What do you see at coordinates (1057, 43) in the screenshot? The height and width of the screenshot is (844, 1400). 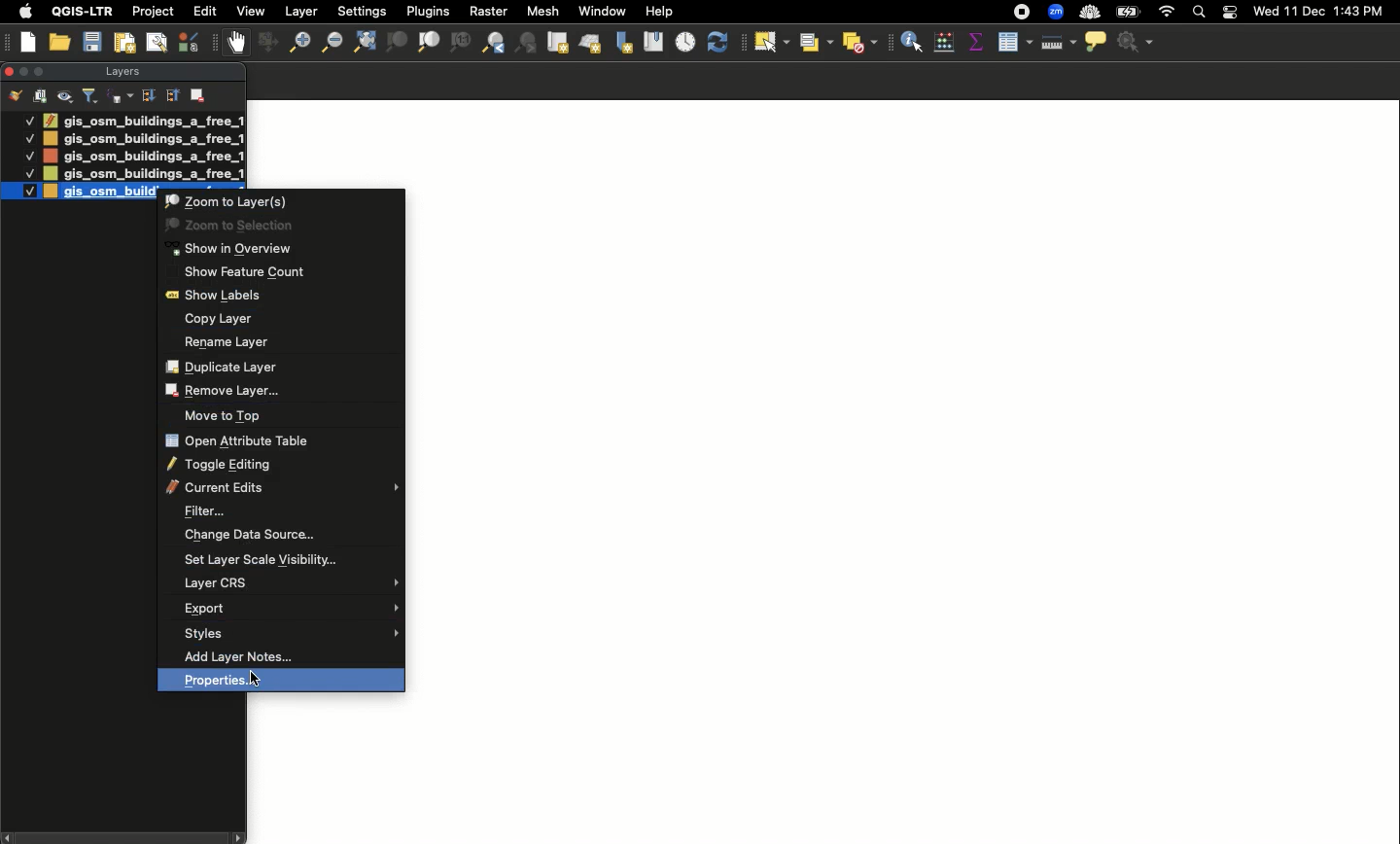 I see `Measure line` at bounding box center [1057, 43].